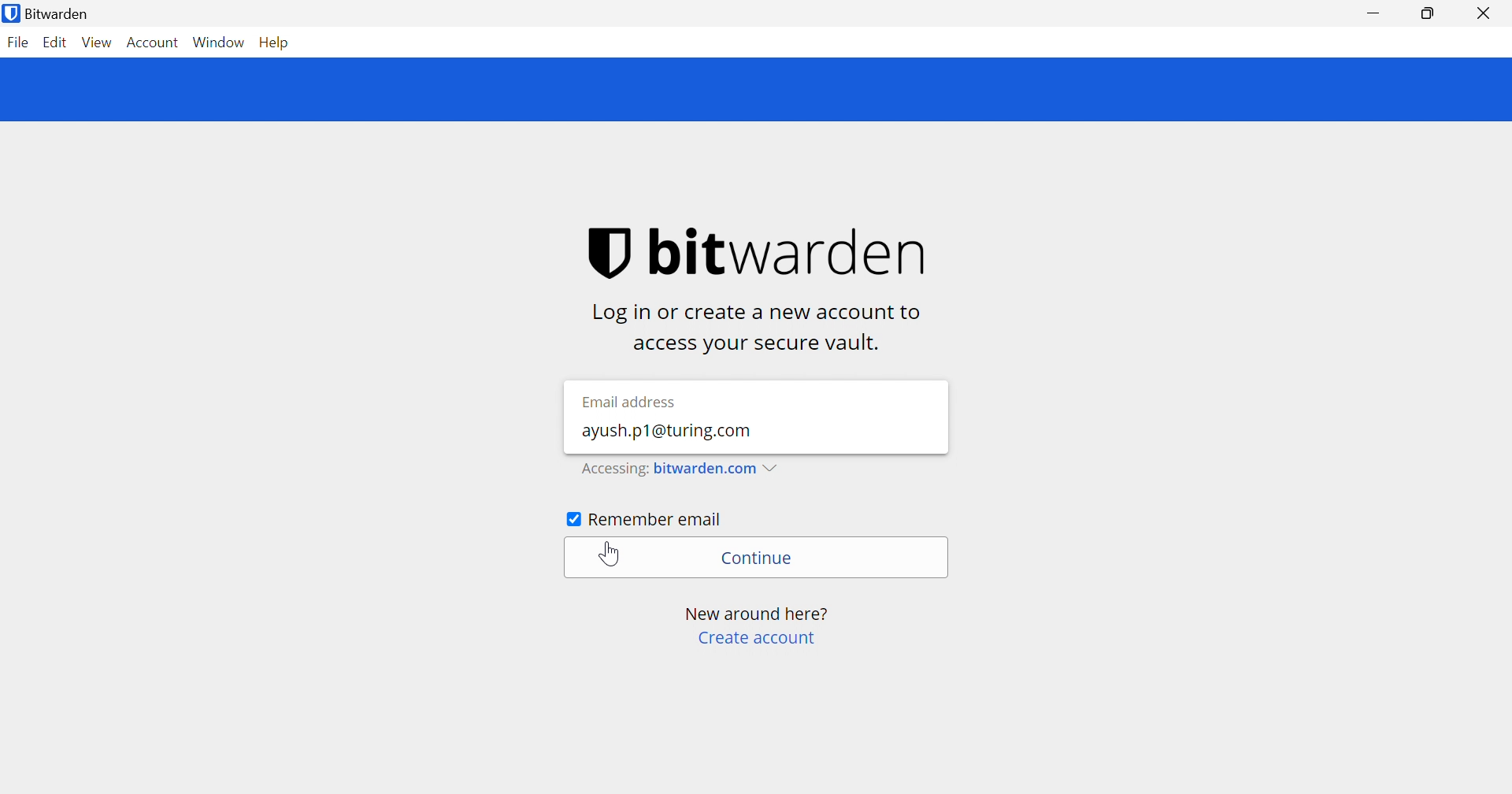 The height and width of the screenshot is (794, 1512). Describe the element at coordinates (609, 555) in the screenshot. I see `Cursor` at that location.